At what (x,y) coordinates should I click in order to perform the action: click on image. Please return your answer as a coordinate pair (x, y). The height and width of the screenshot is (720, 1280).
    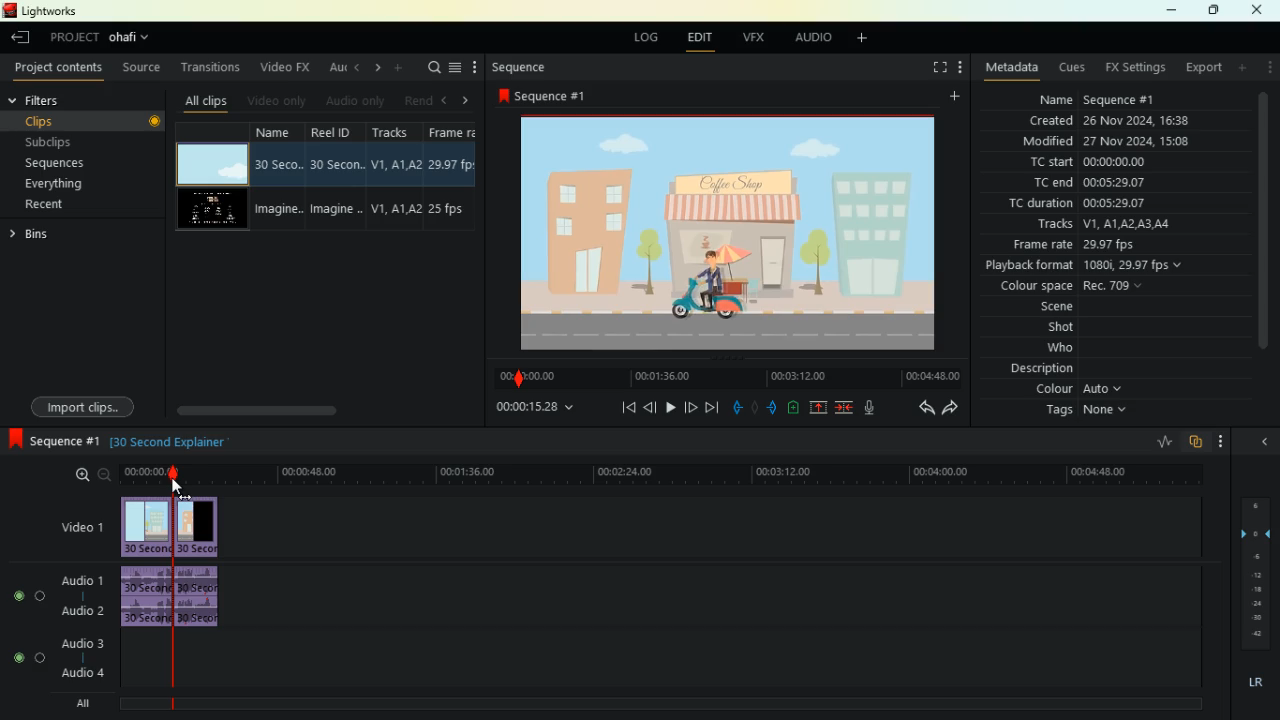
    Looking at the image, I should click on (145, 525).